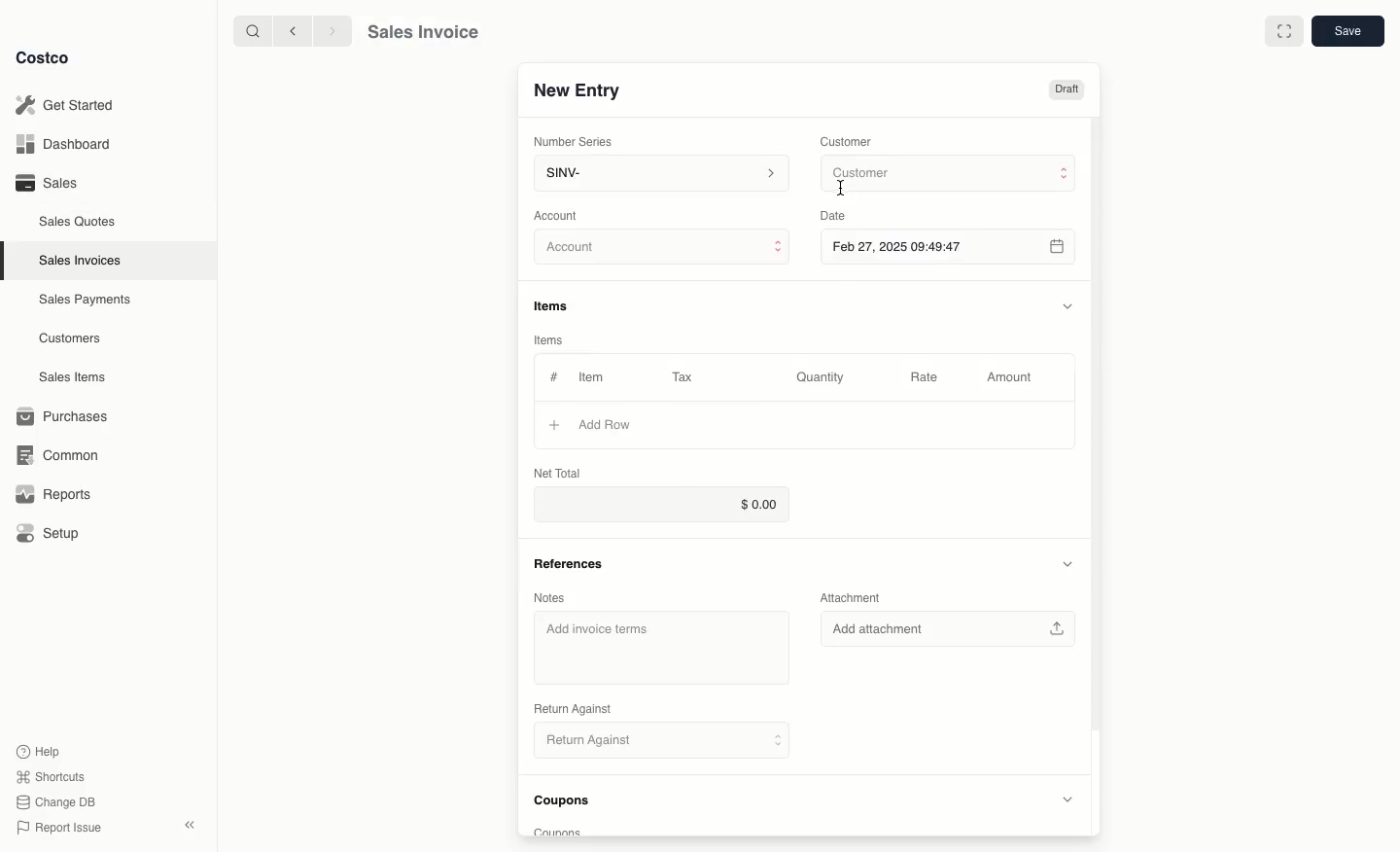 The image size is (1400, 852). Describe the element at coordinates (73, 338) in the screenshot. I see `Customers` at that location.